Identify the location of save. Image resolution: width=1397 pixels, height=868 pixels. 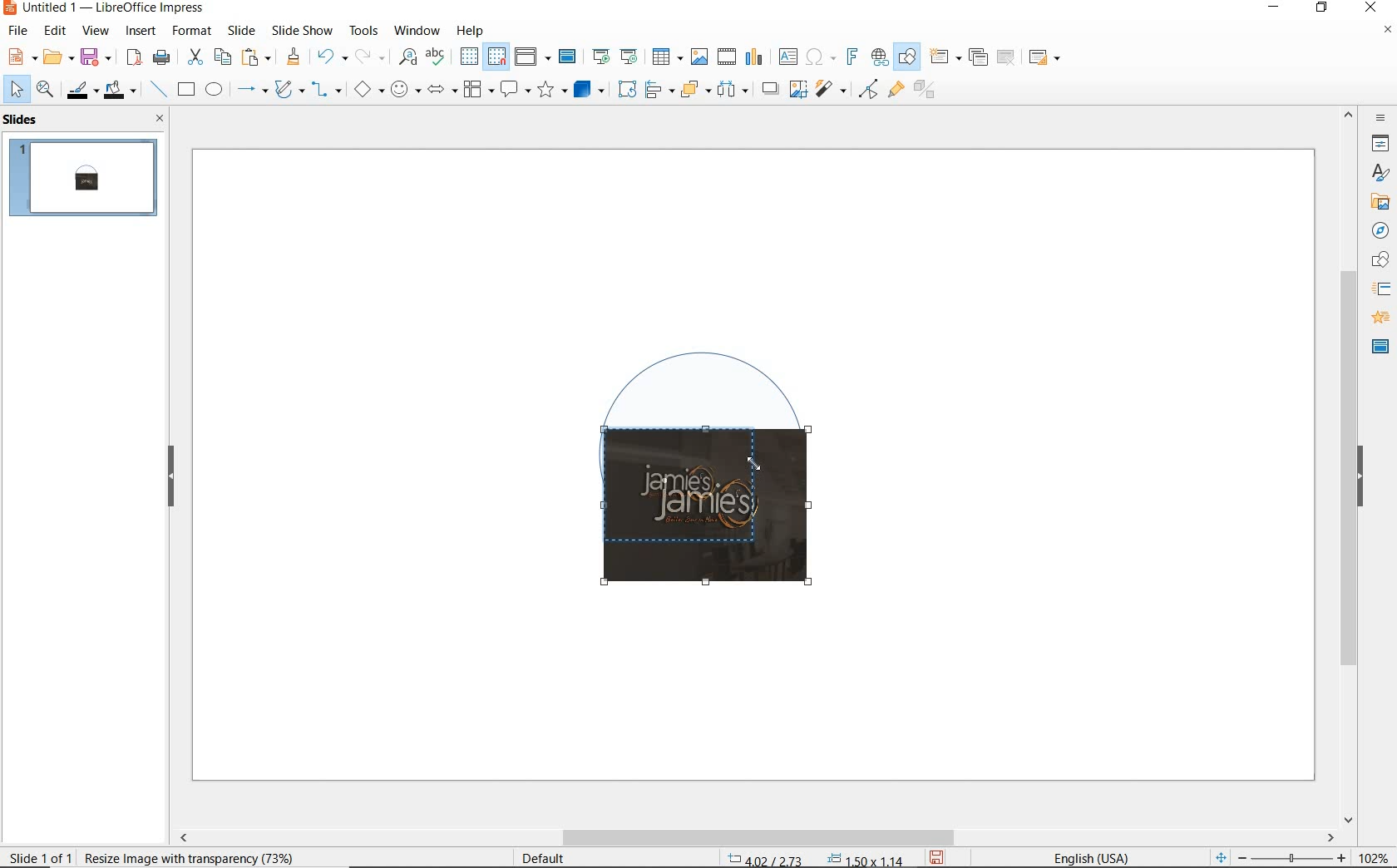
(938, 856).